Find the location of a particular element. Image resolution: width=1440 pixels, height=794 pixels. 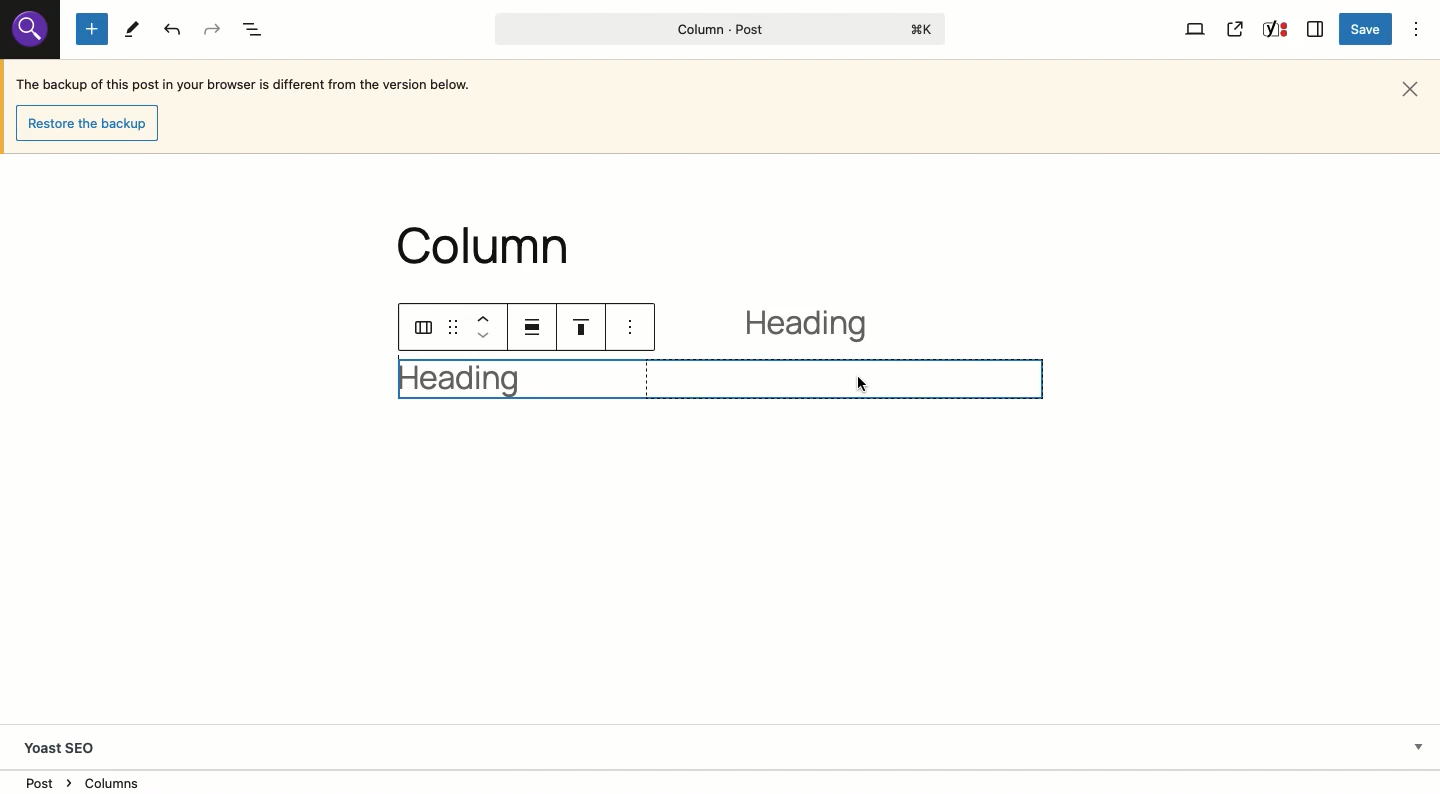

Options is located at coordinates (1418, 28).